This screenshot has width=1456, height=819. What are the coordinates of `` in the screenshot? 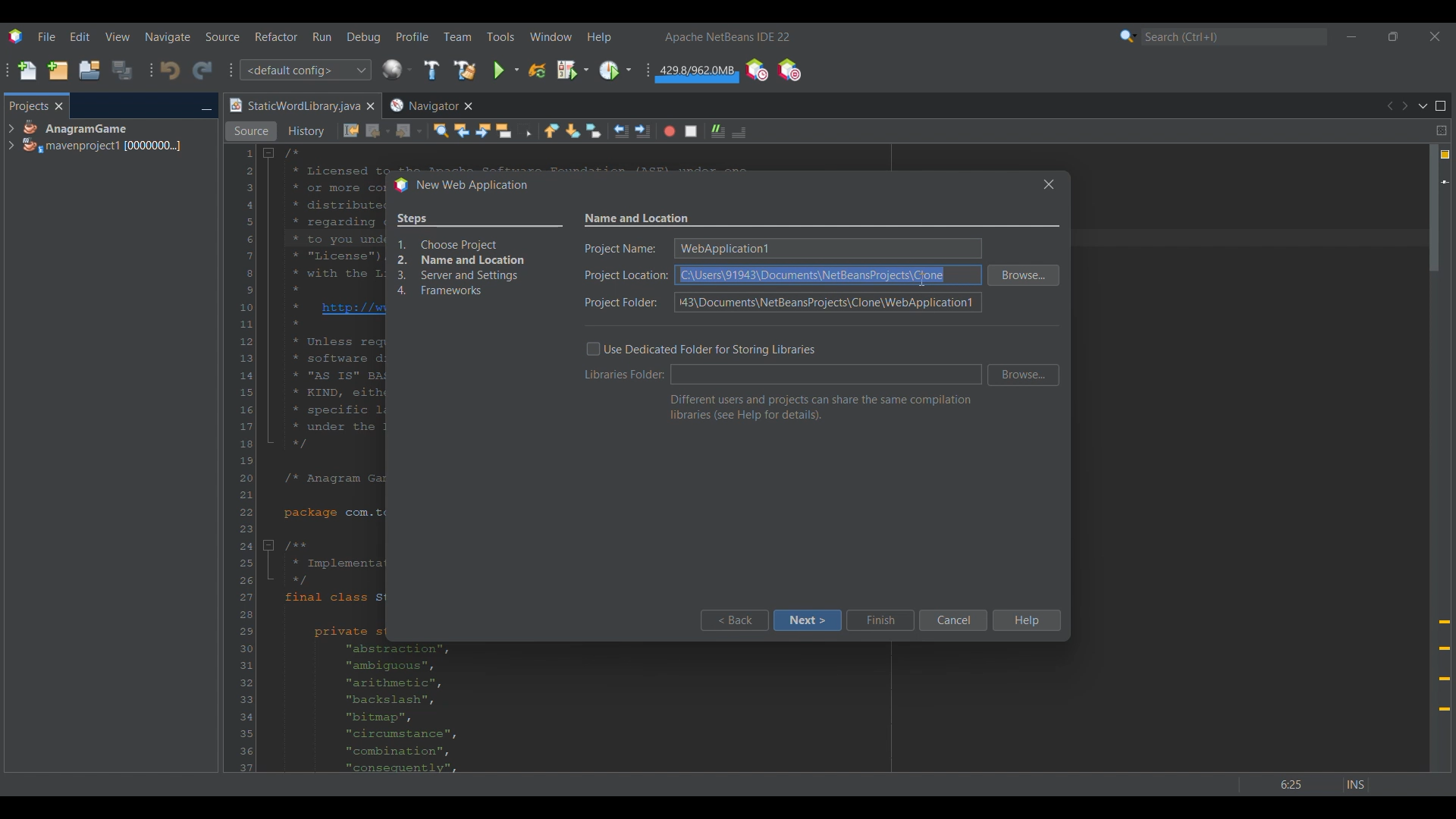 It's located at (1313, 780).